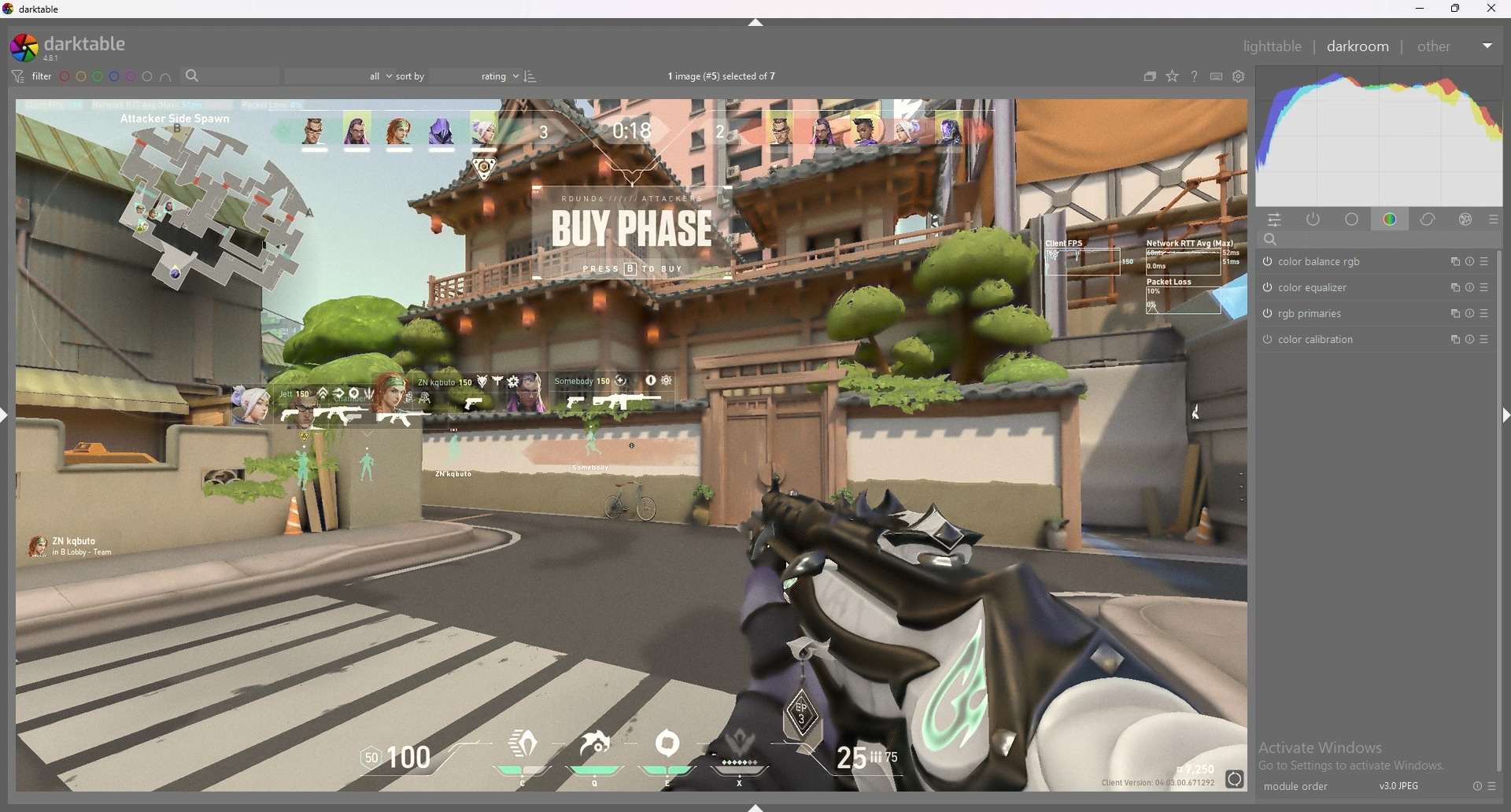  I want to click on module order, so click(1304, 787).